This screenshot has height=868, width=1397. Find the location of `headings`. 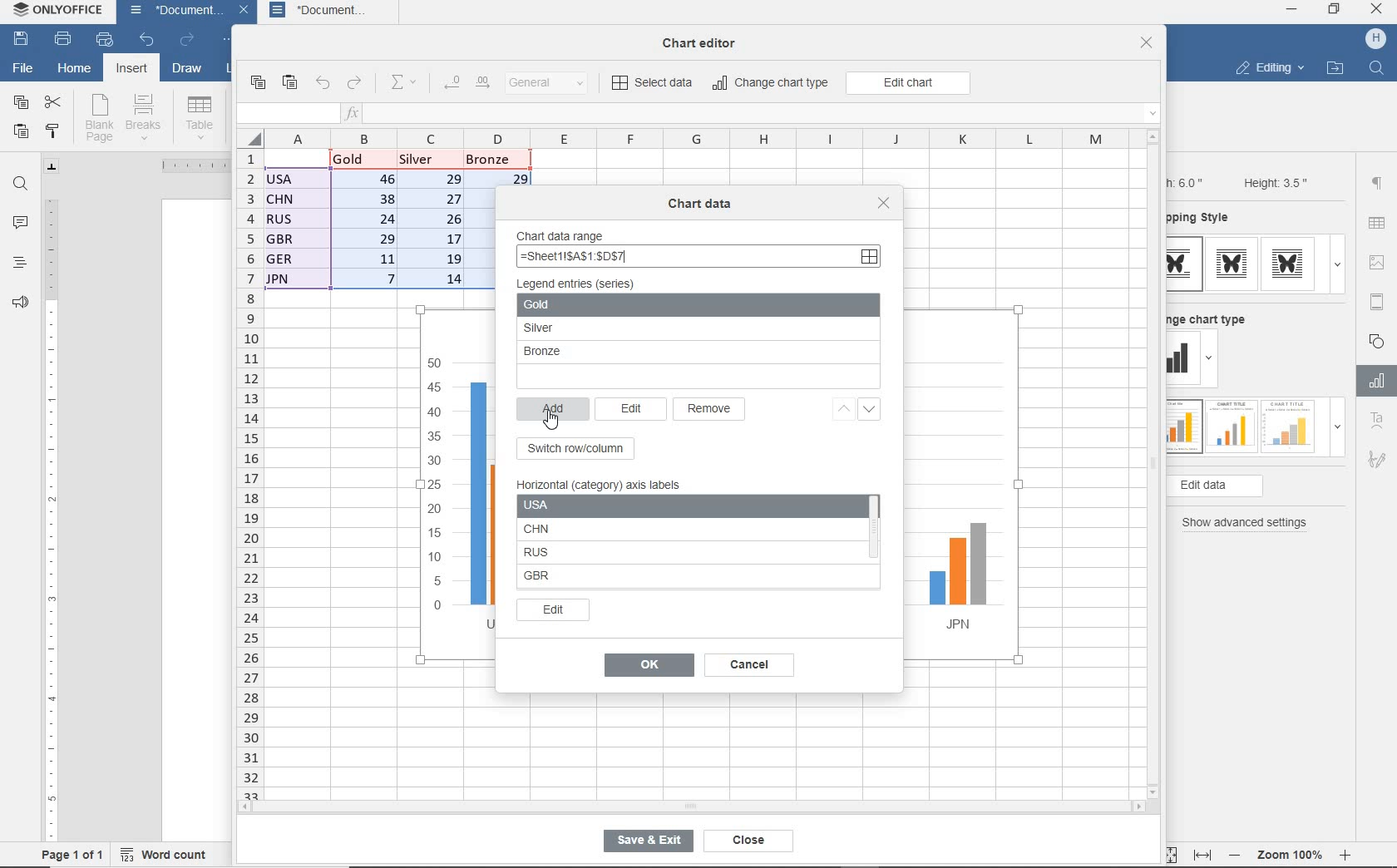

headings is located at coordinates (18, 264).